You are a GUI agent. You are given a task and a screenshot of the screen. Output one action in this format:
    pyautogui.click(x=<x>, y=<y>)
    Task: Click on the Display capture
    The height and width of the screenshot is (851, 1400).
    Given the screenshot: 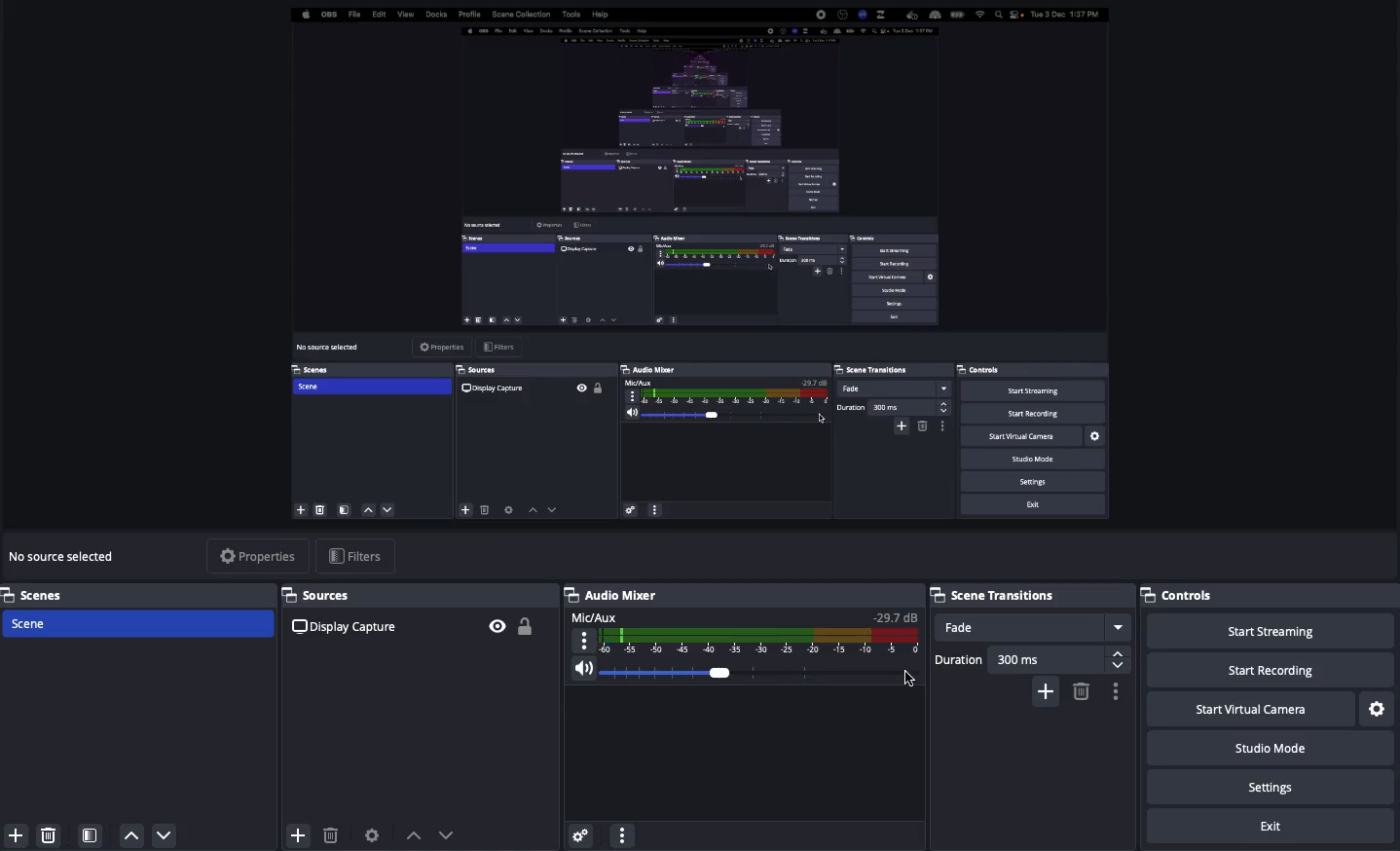 What is the action you would take?
    pyautogui.click(x=350, y=626)
    